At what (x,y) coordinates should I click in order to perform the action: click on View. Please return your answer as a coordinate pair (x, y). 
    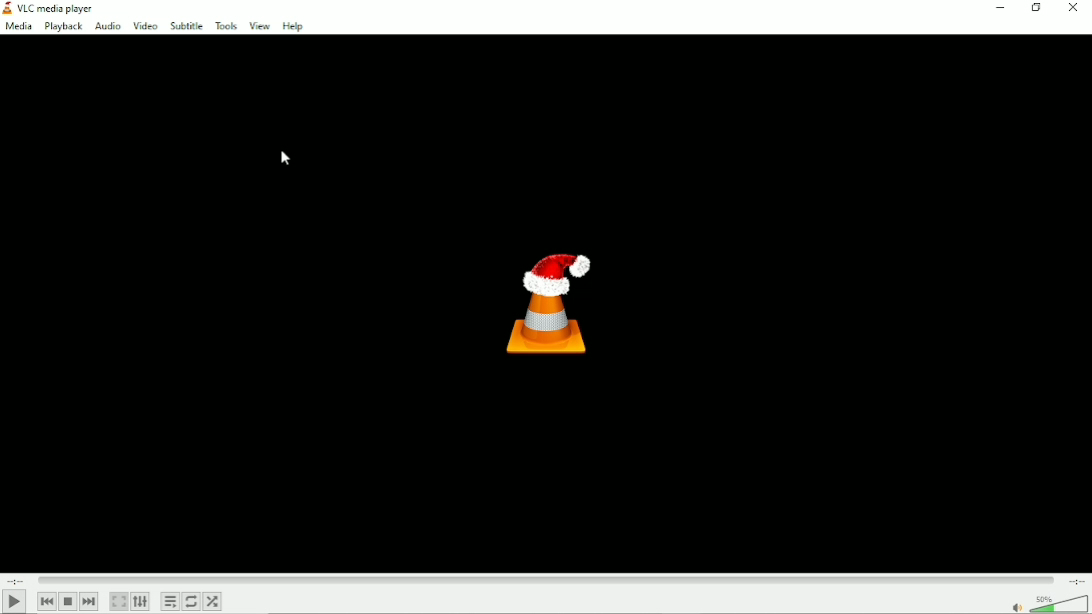
    Looking at the image, I should click on (259, 25).